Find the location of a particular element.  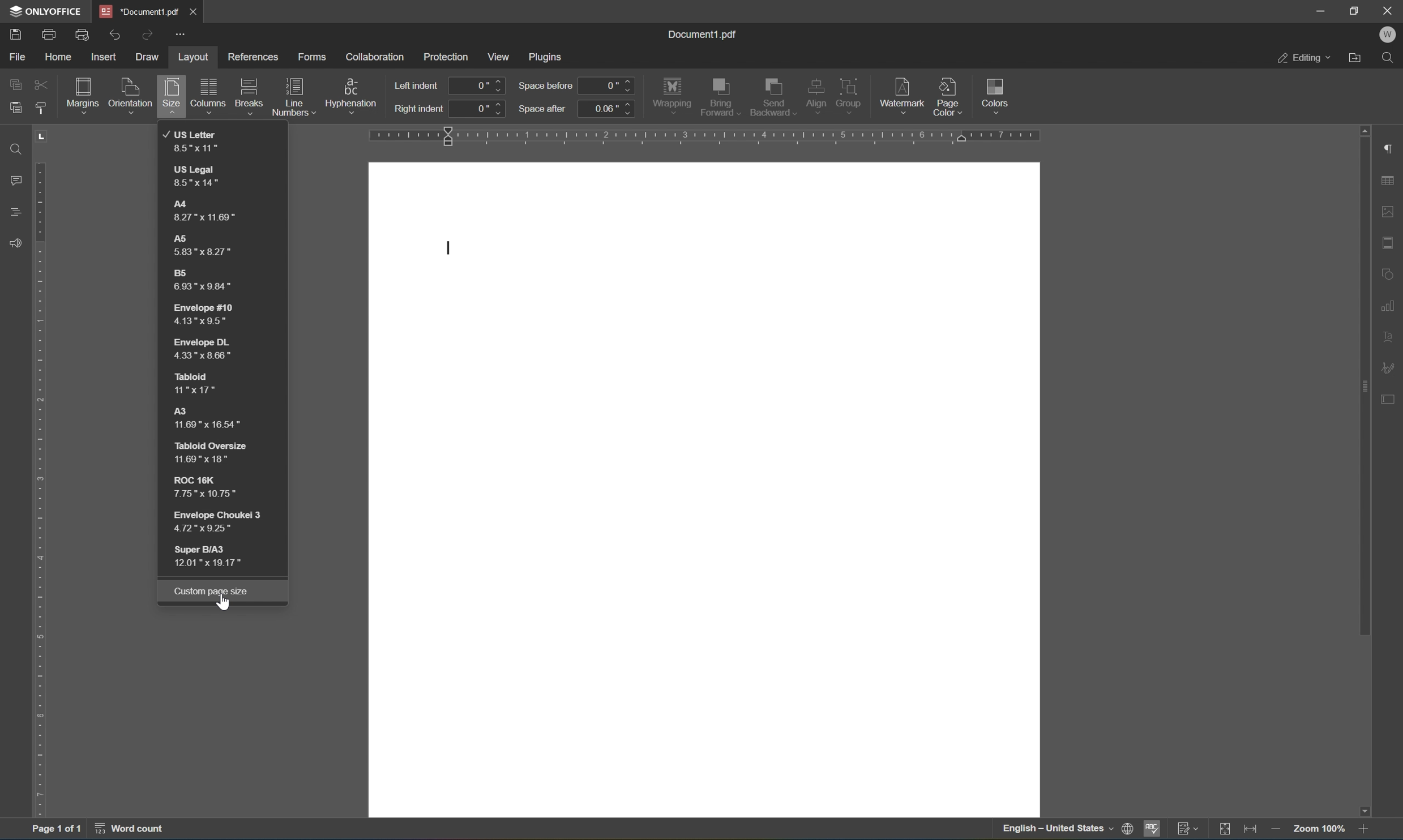

spell checking is located at coordinates (1152, 830).